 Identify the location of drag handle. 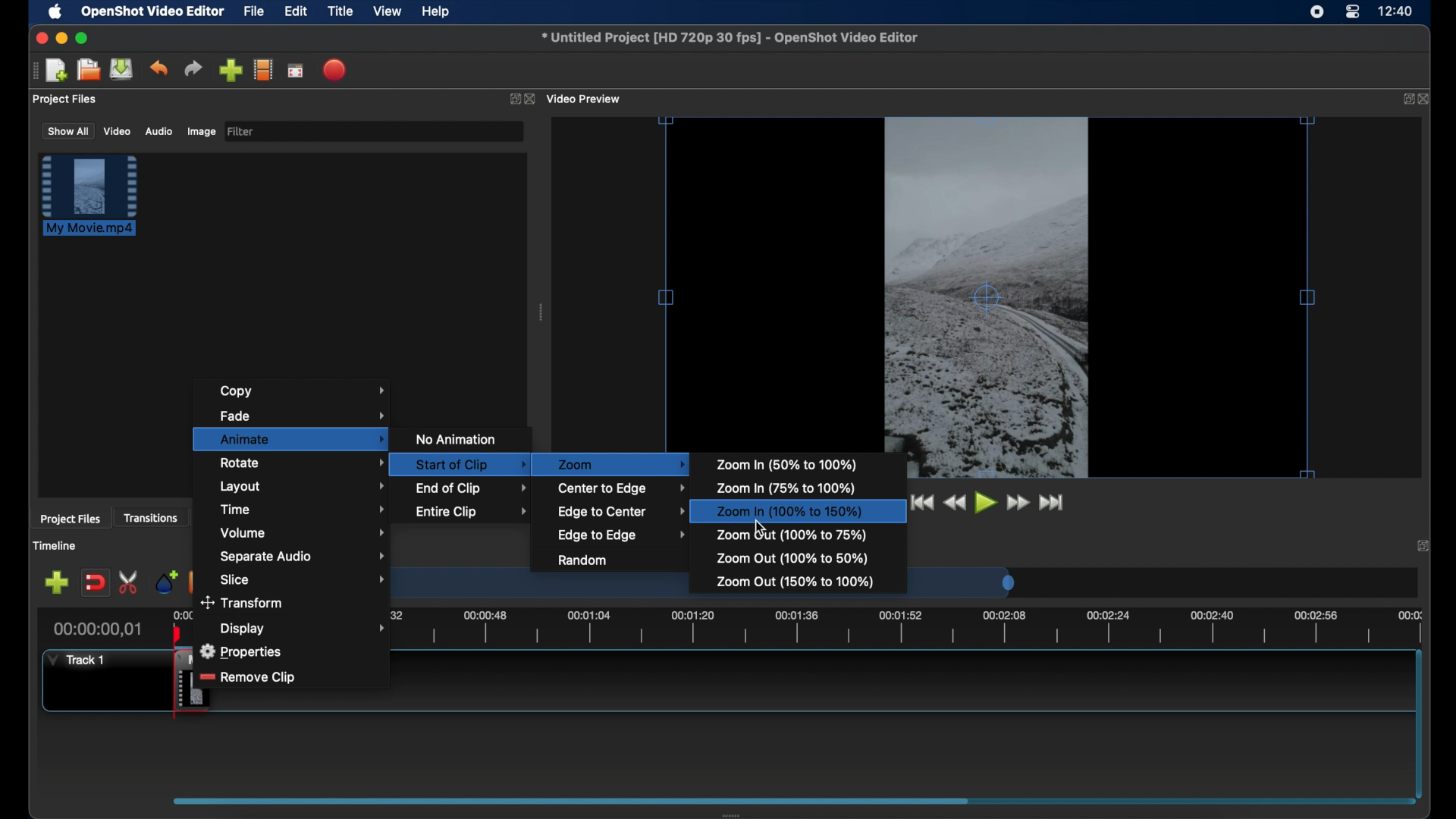
(33, 71).